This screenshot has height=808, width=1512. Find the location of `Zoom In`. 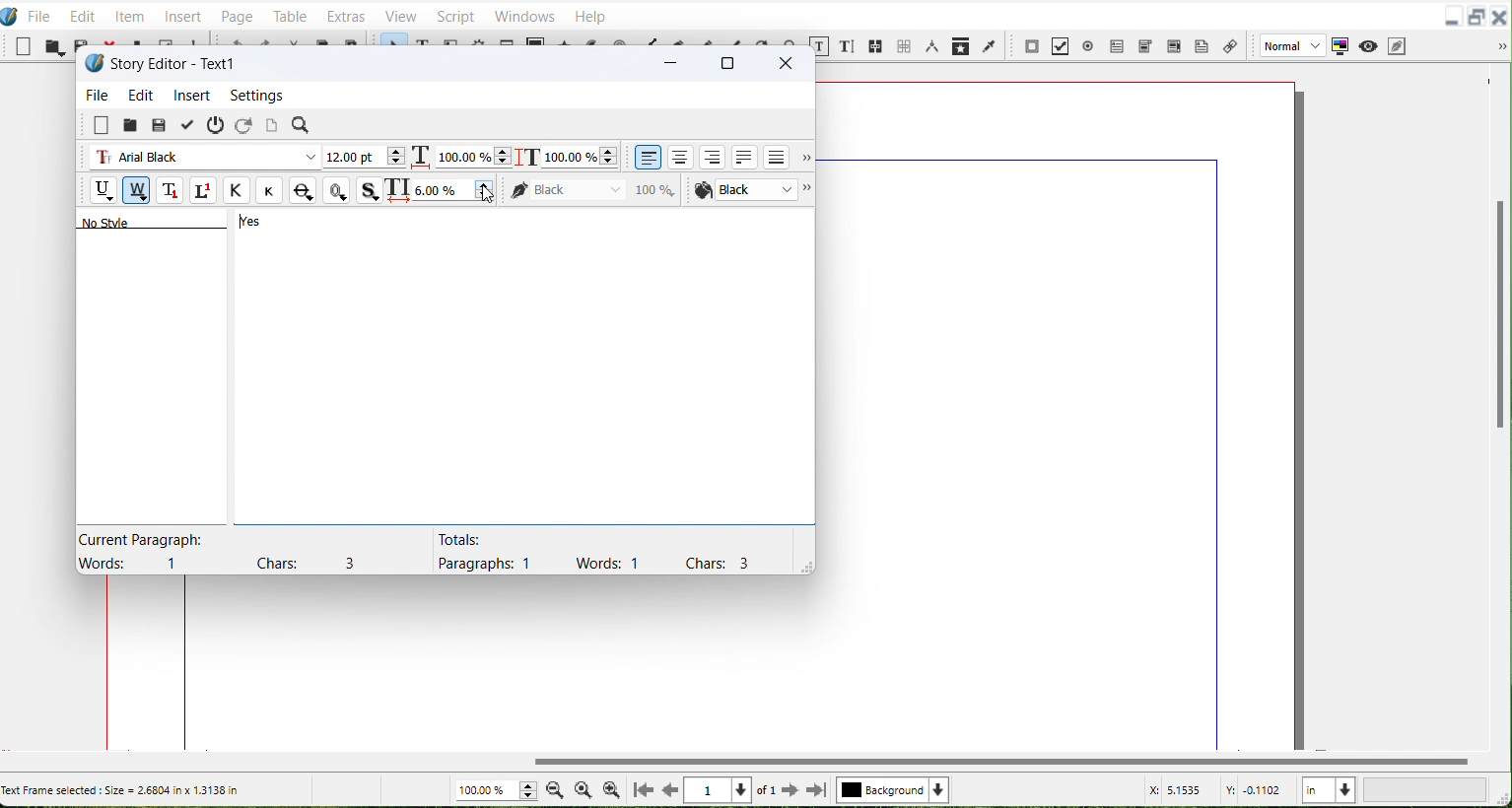

Zoom In is located at coordinates (611, 789).